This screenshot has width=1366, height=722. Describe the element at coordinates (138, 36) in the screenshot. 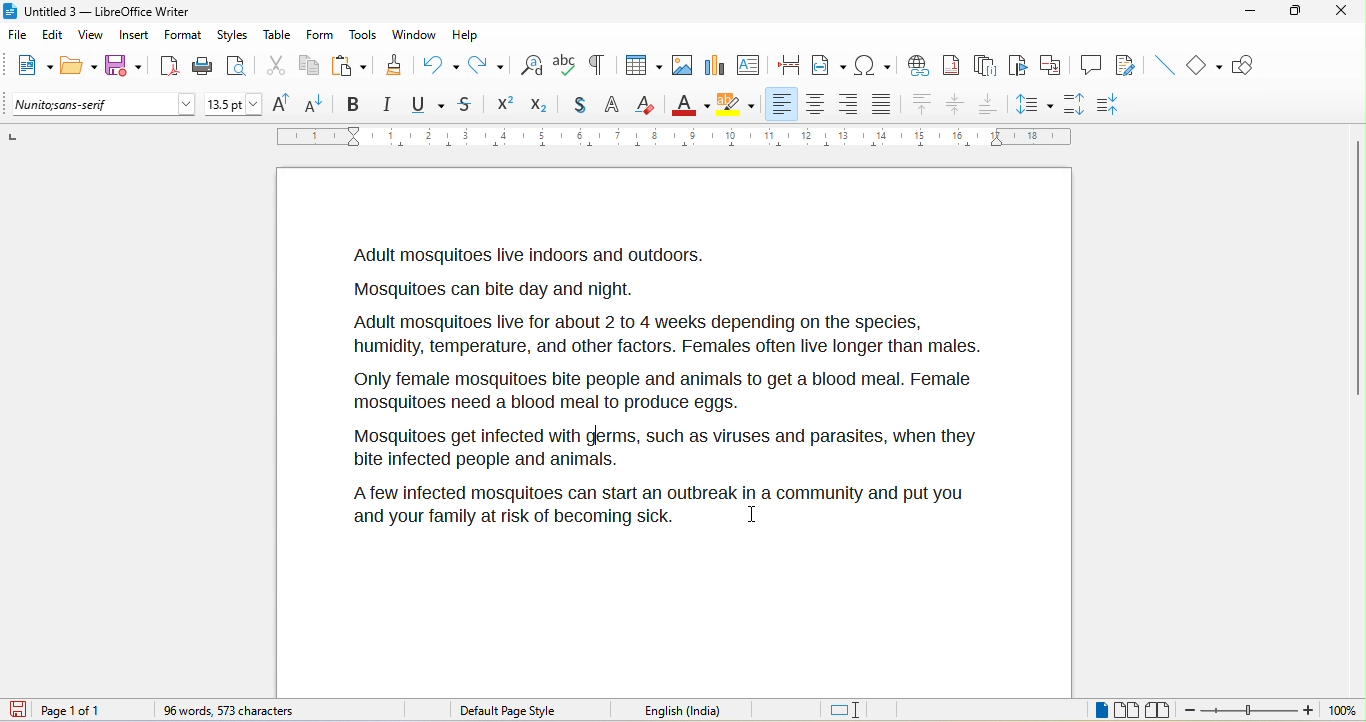

I see `insert` at that location.